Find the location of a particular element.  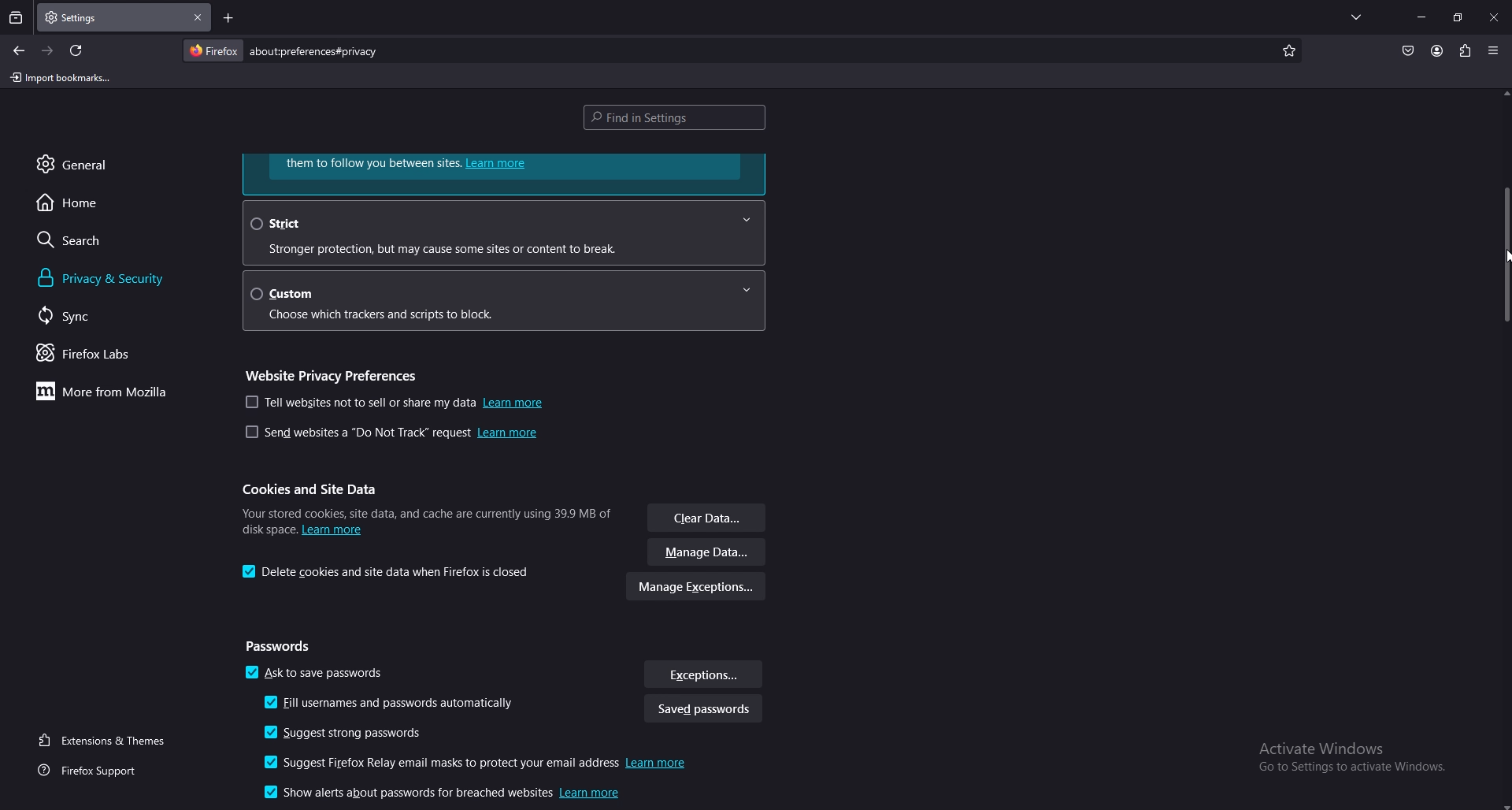

autofill is located at coordinates (395, 704).